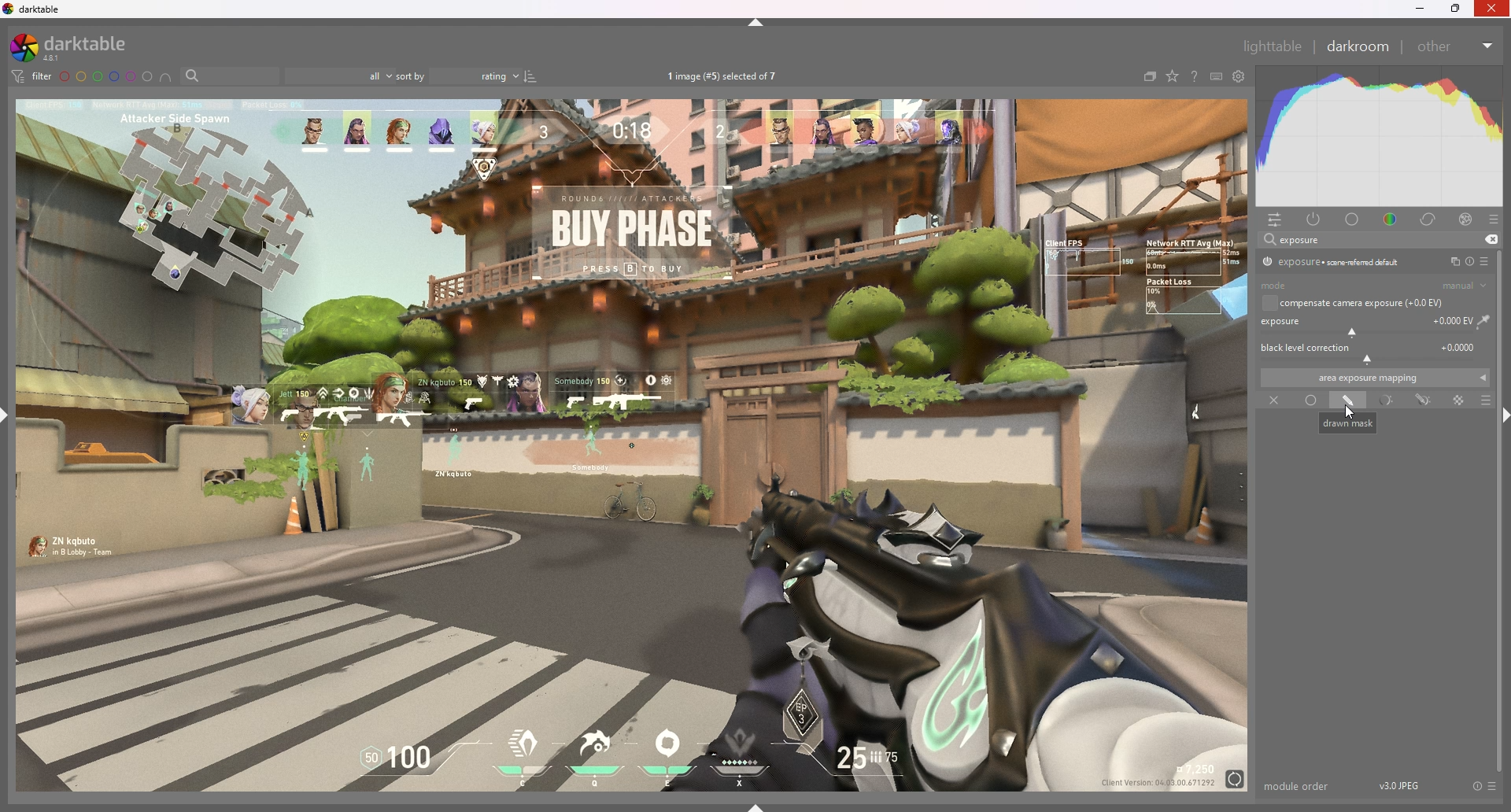  Describe the element at coordinates (1493, 220) in the screenshot. I see `presets` at that location.